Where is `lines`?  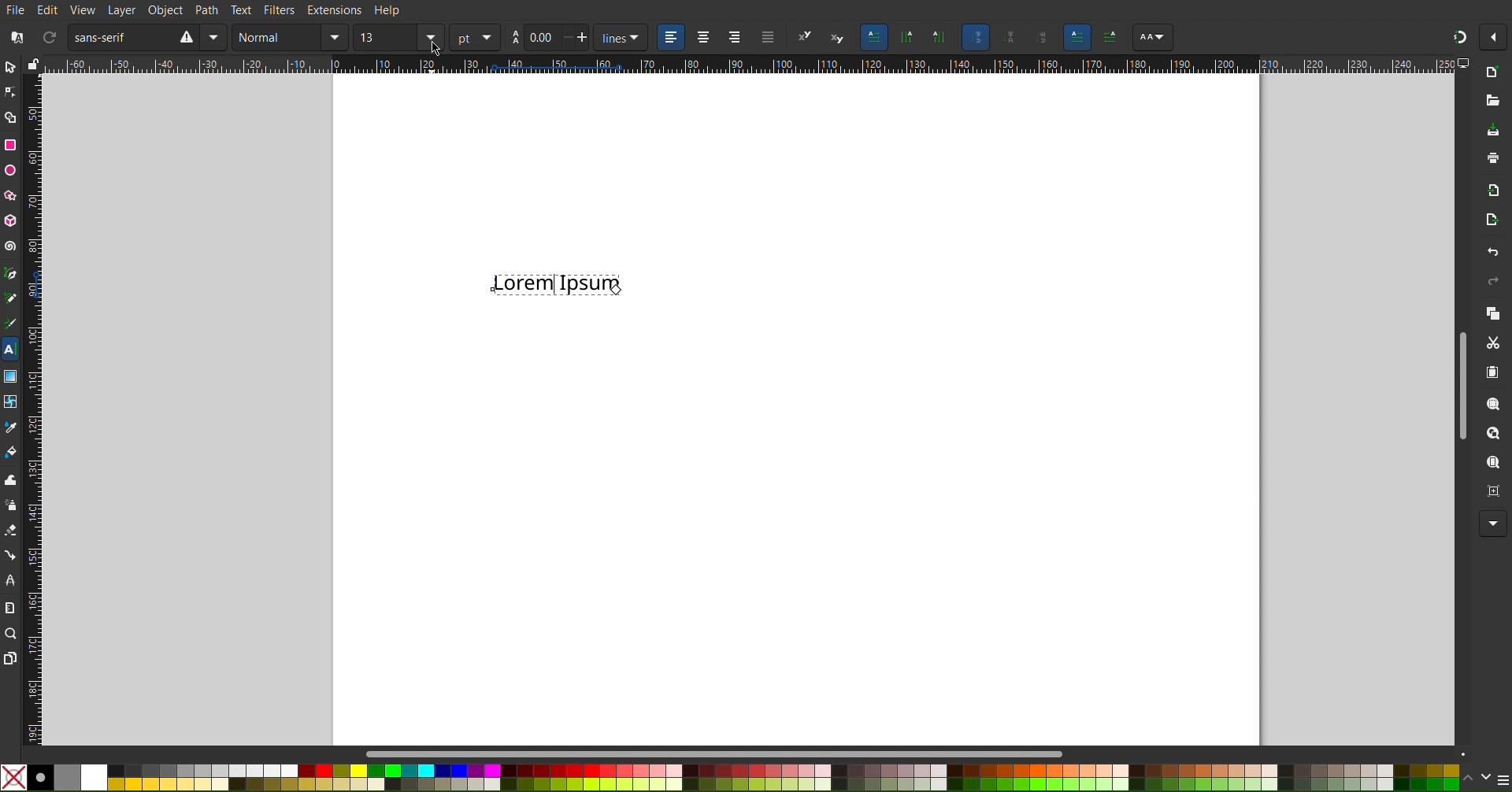 lines is located at coordinates (619, 38).